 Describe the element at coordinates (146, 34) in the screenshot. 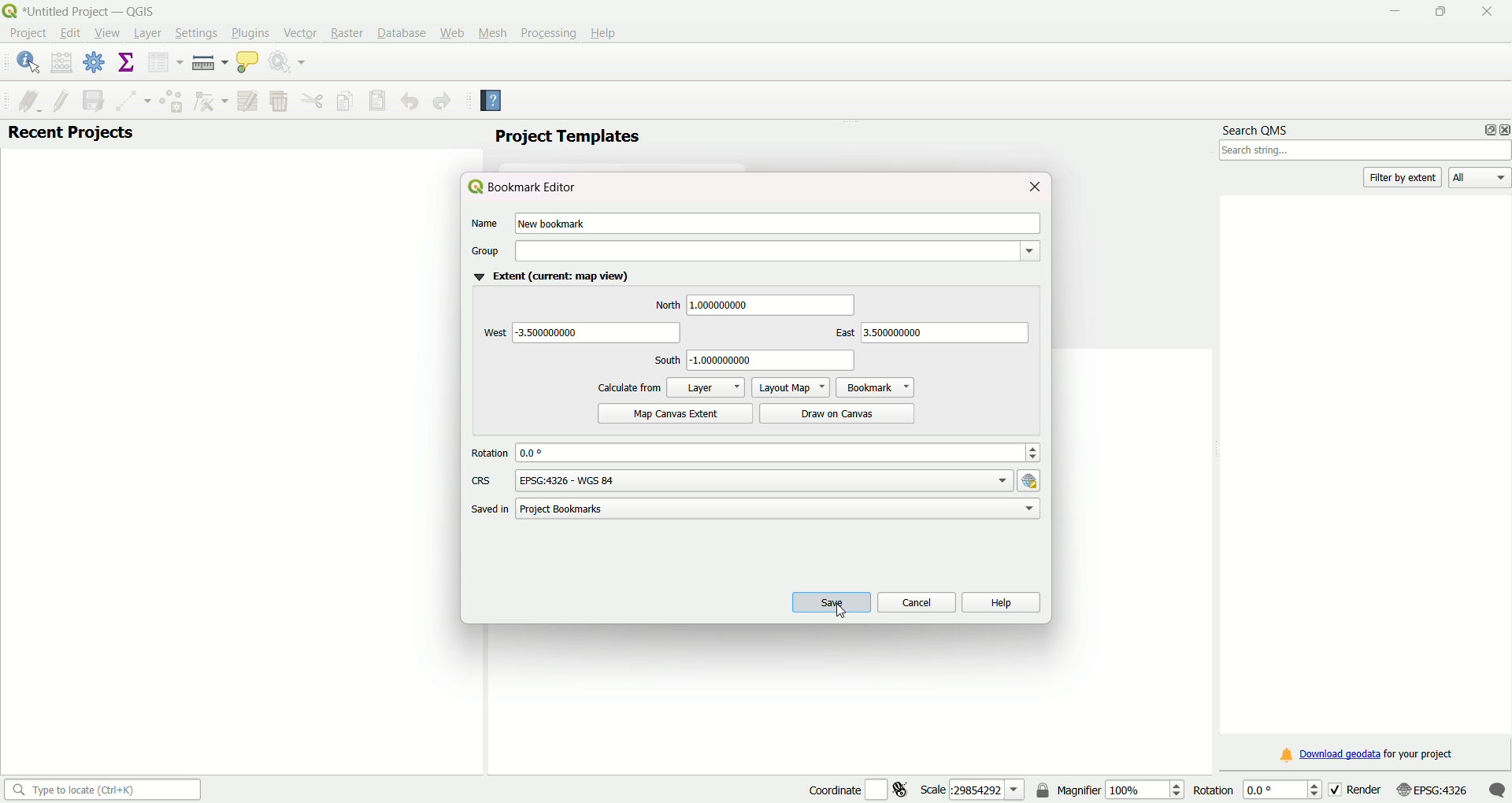

I see `Layer` at that location.